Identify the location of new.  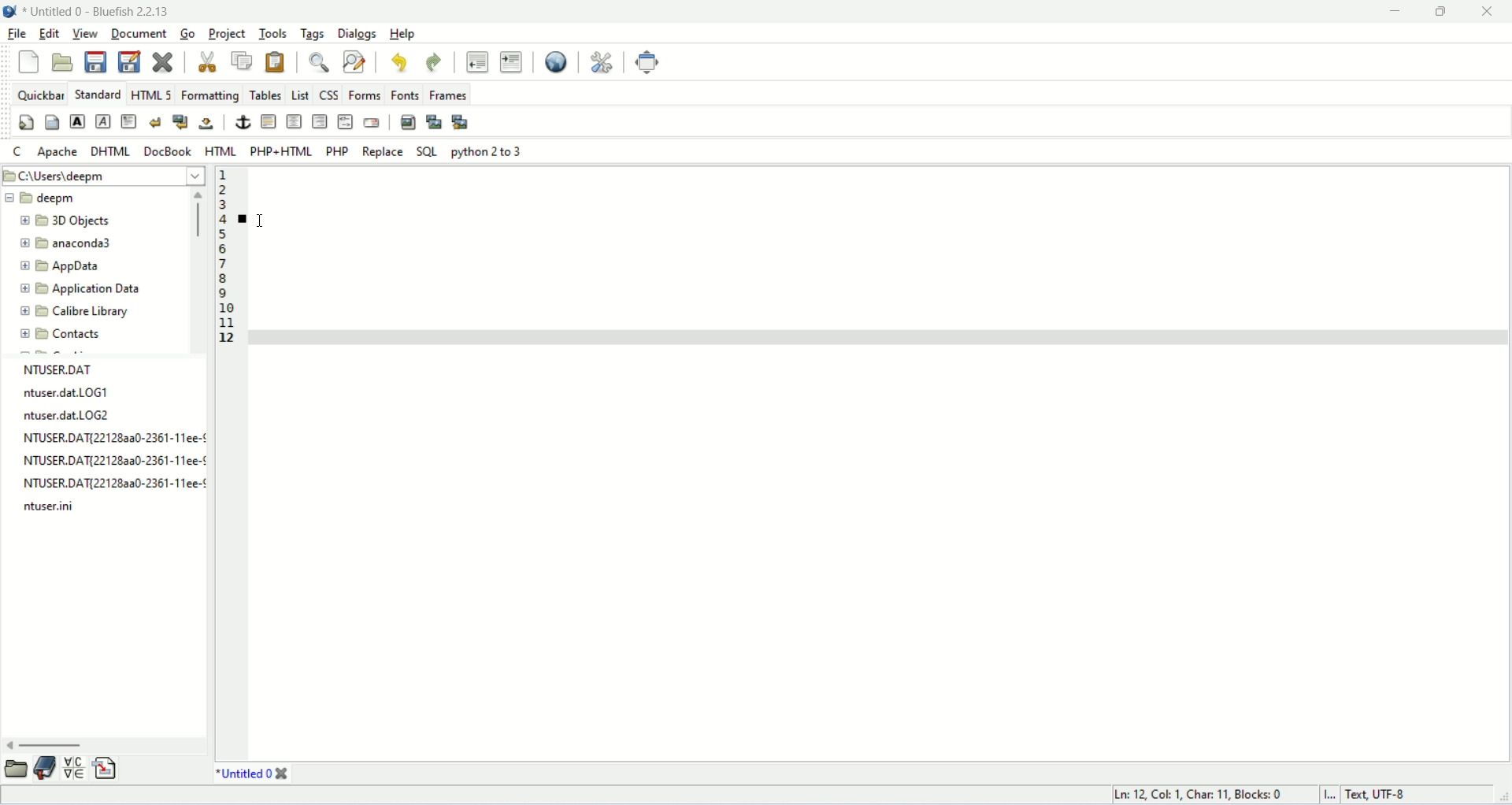
(28, 62).